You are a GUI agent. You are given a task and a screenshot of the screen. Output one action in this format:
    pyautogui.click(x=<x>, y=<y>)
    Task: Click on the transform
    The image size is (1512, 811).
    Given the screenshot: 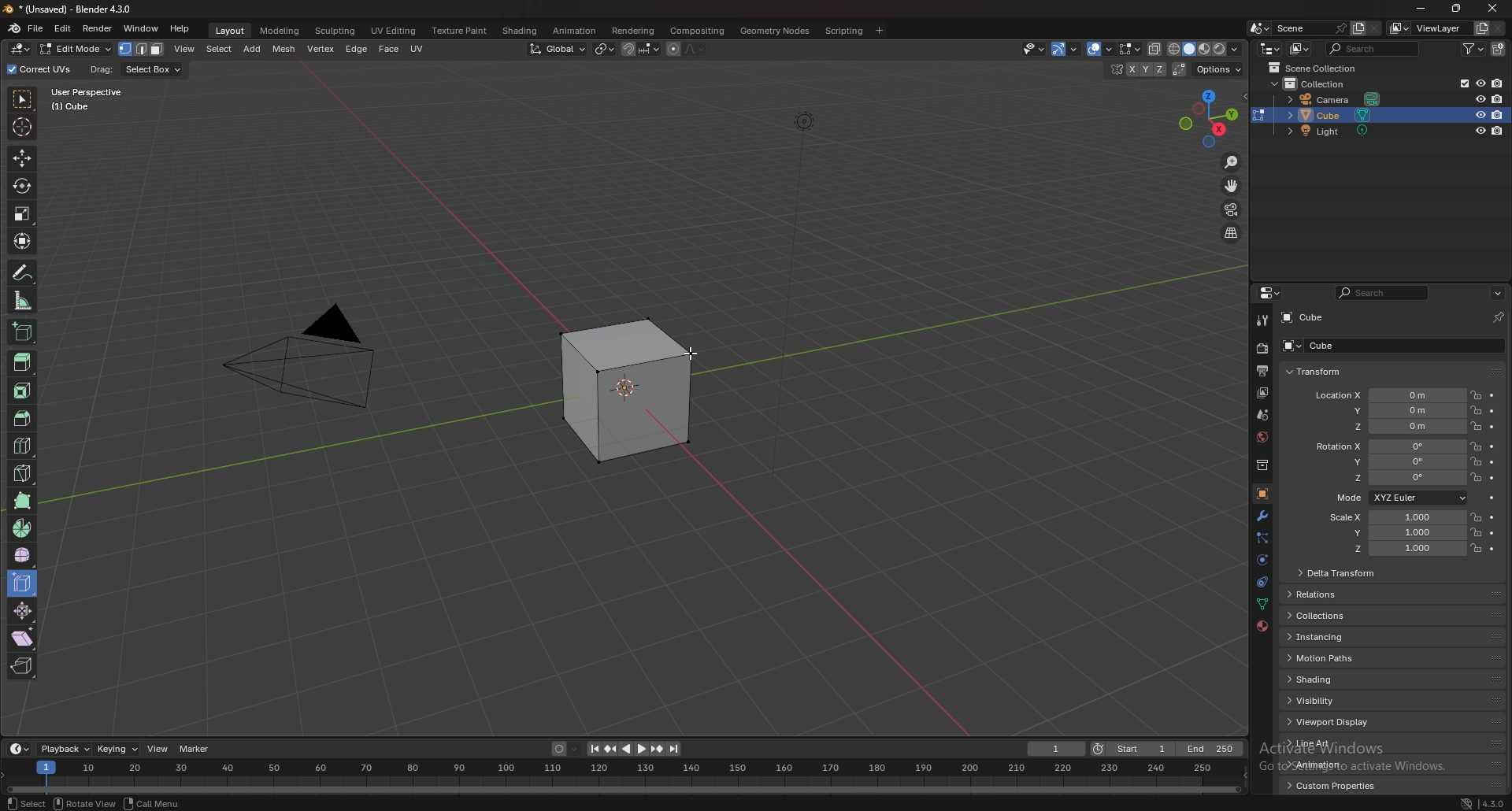 What is the action you would take?
    pyautogui.click(x=23, y=240)
    